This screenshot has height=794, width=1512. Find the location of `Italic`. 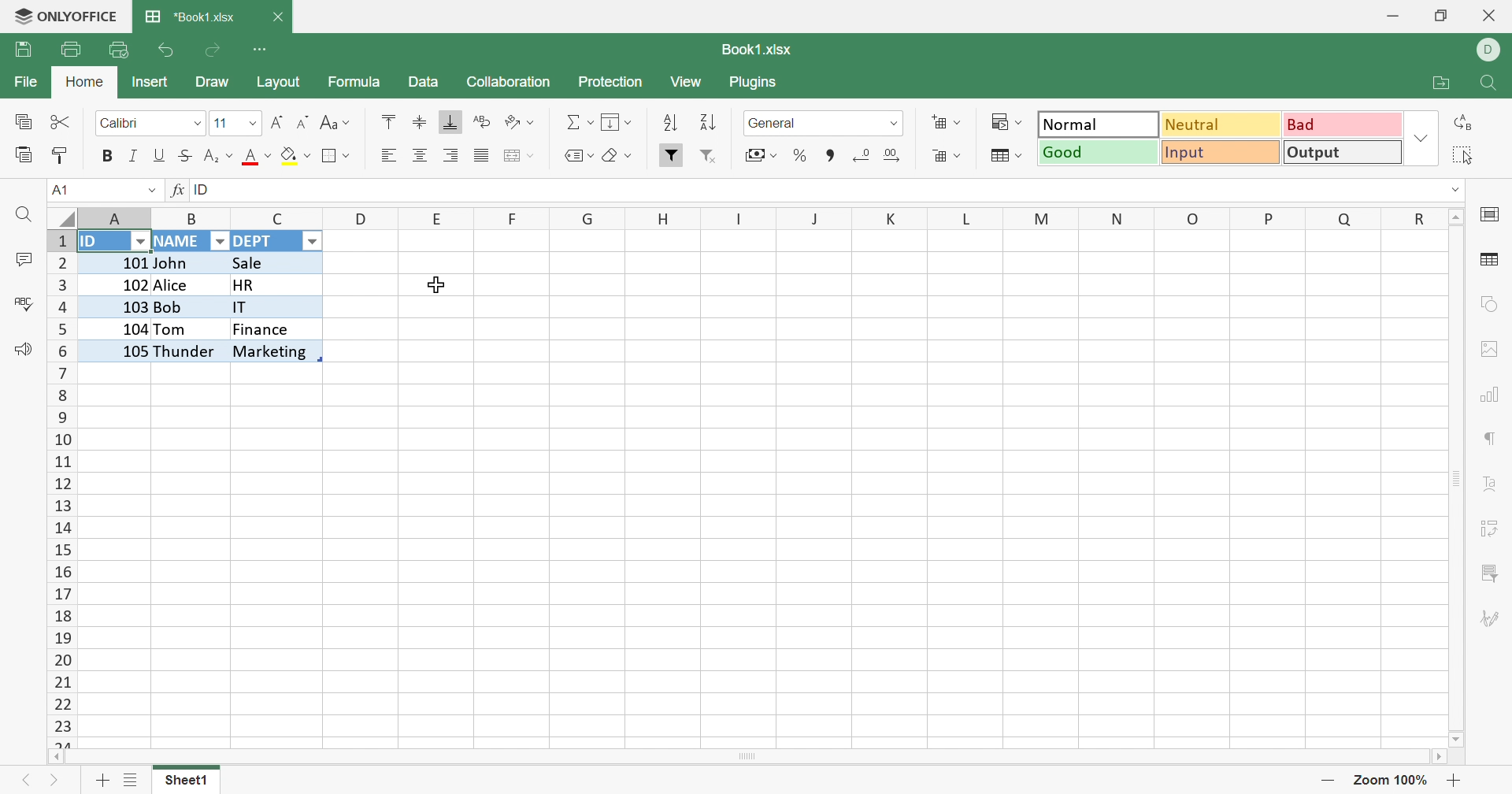

Italic is located at coordinates (134, 157).